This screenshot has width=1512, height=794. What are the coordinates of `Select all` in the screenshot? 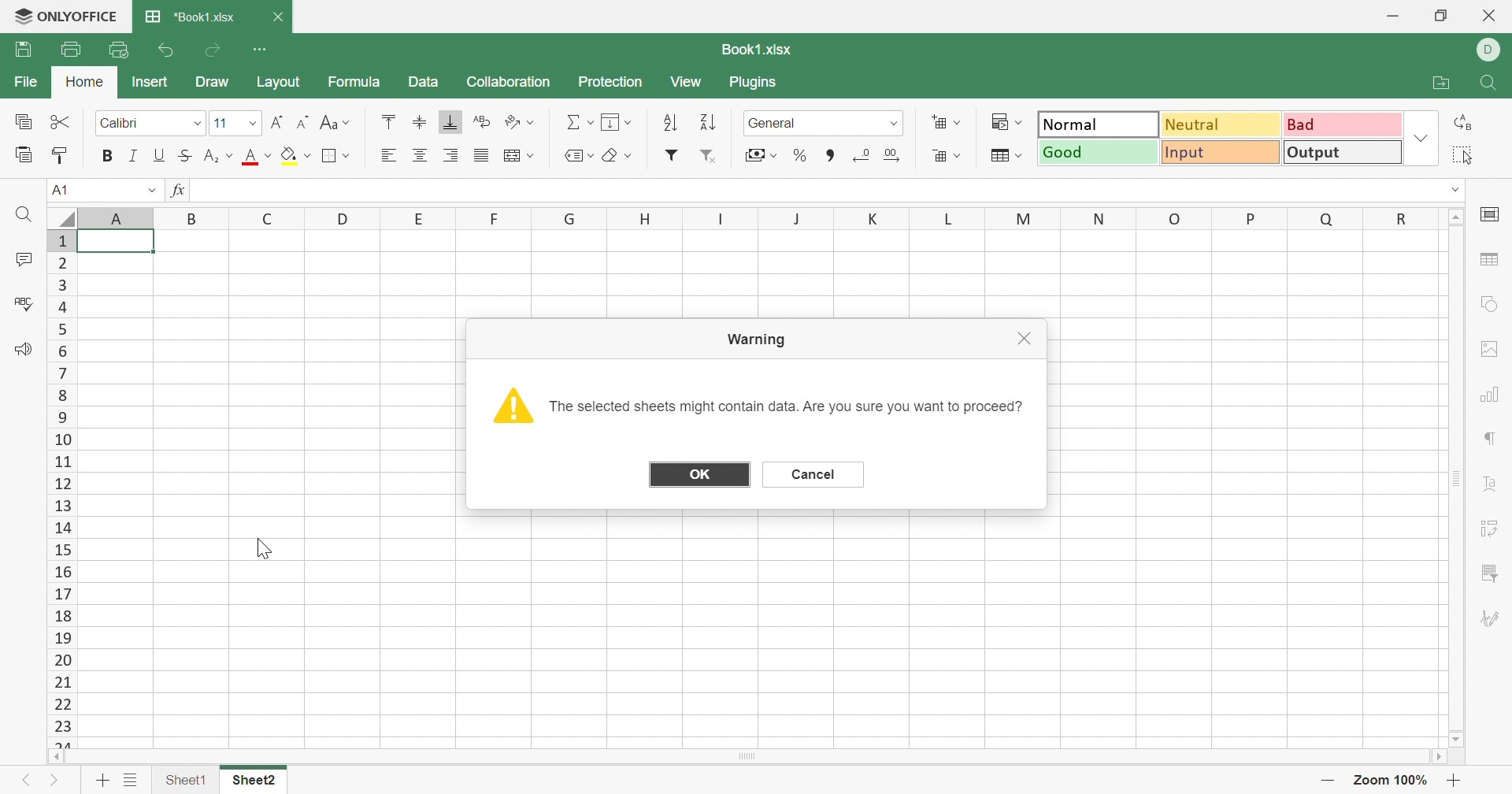 It's located at (1465, 153).